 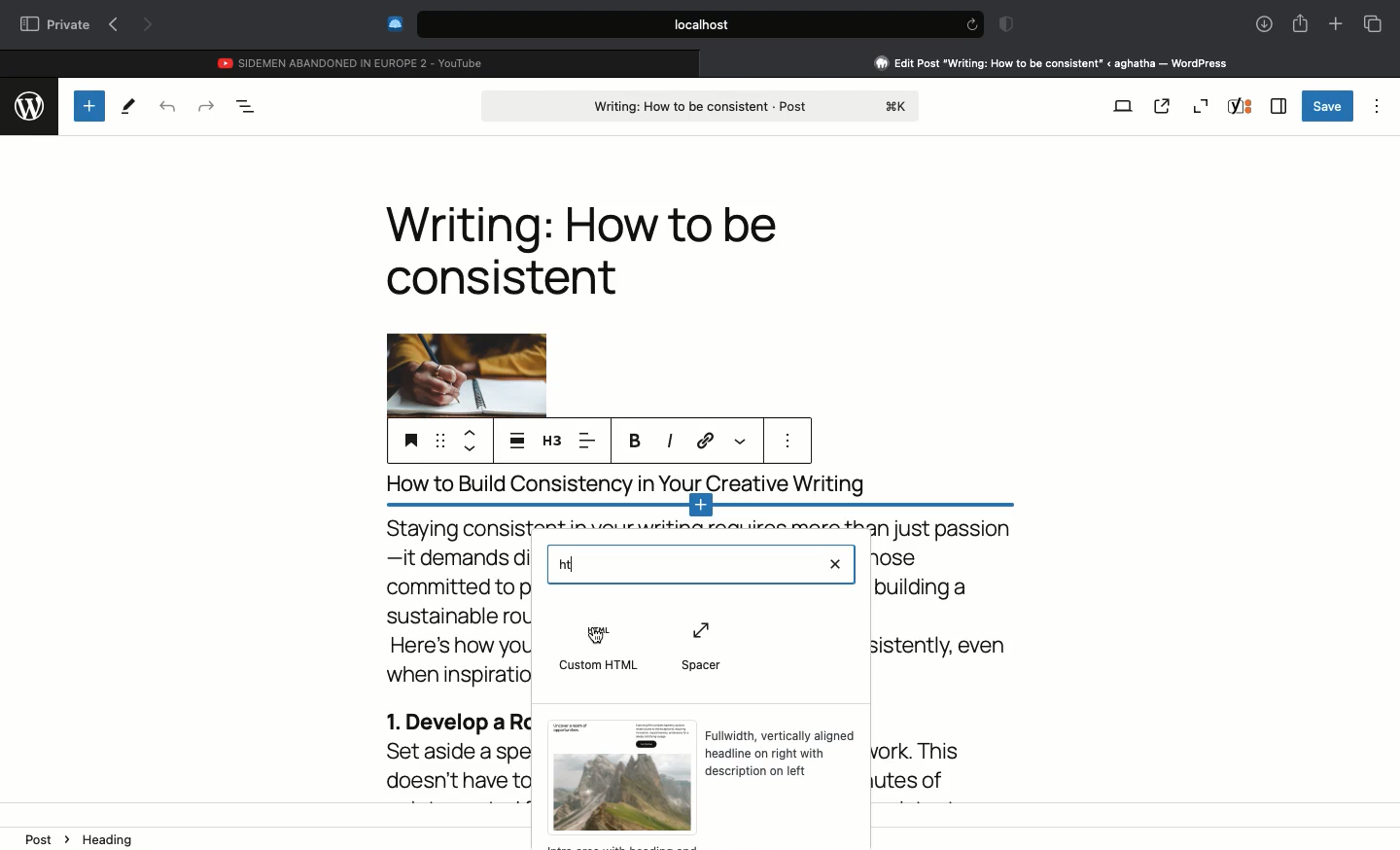 What do you see at coordinates (703, 104) in the screenshot?
I see `Post` at bounding box center [703, 104].